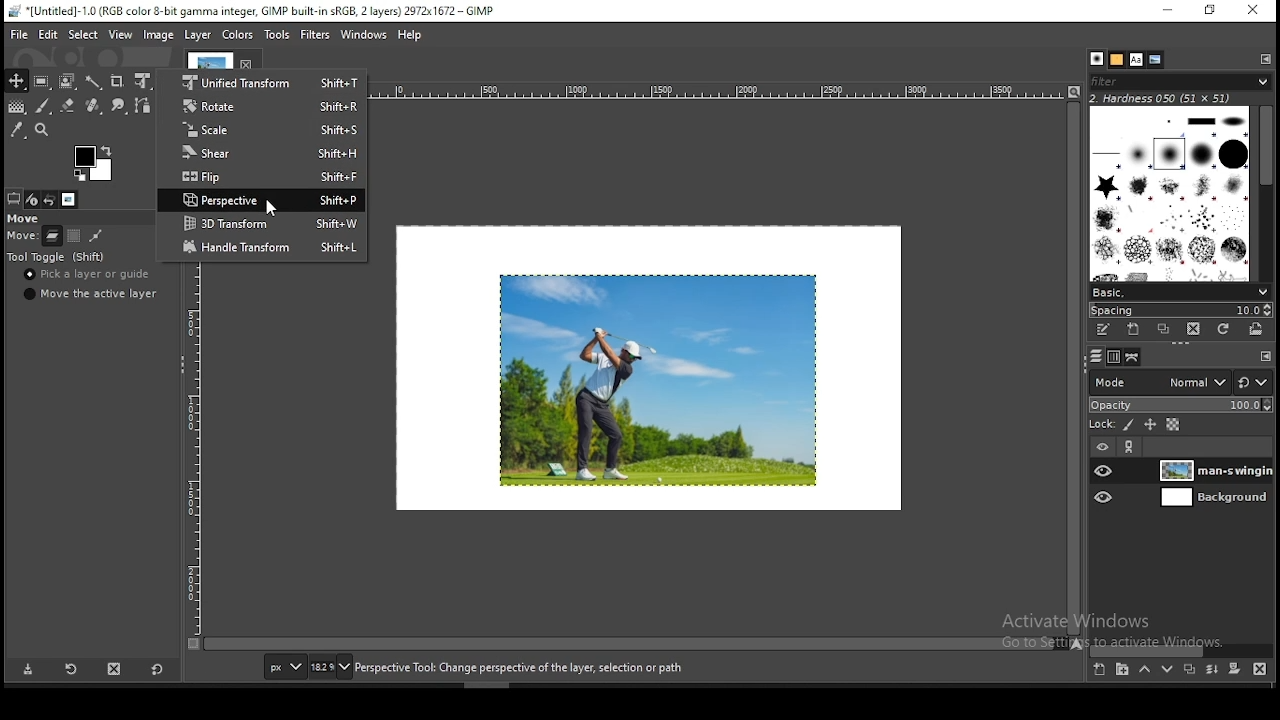  What do you see at coordinates (95, 238) in the screenshot?
I see `move paths` at bounding box center [95, 238].